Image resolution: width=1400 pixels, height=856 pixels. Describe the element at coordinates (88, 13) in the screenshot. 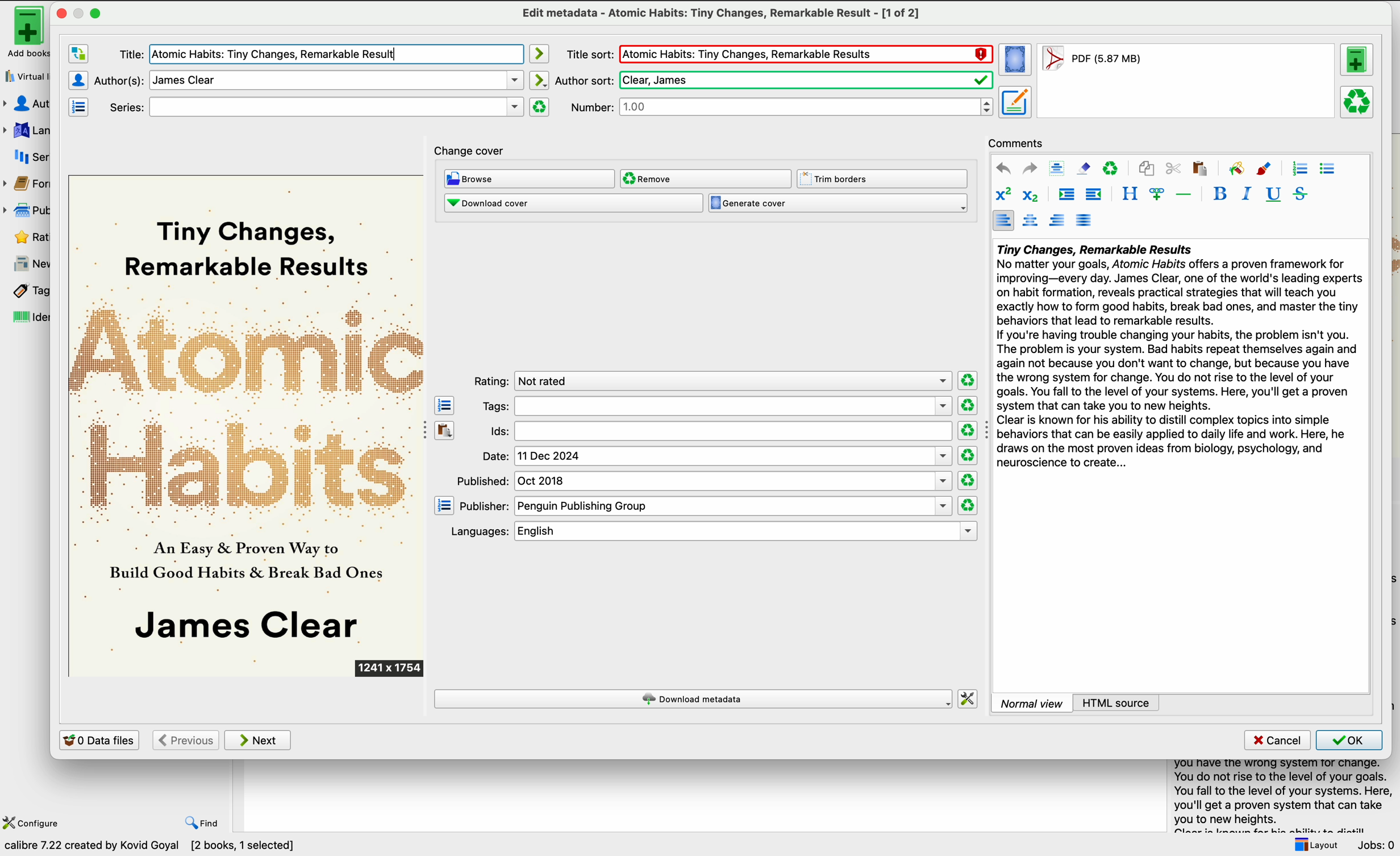

I see `maximize window` at that location.